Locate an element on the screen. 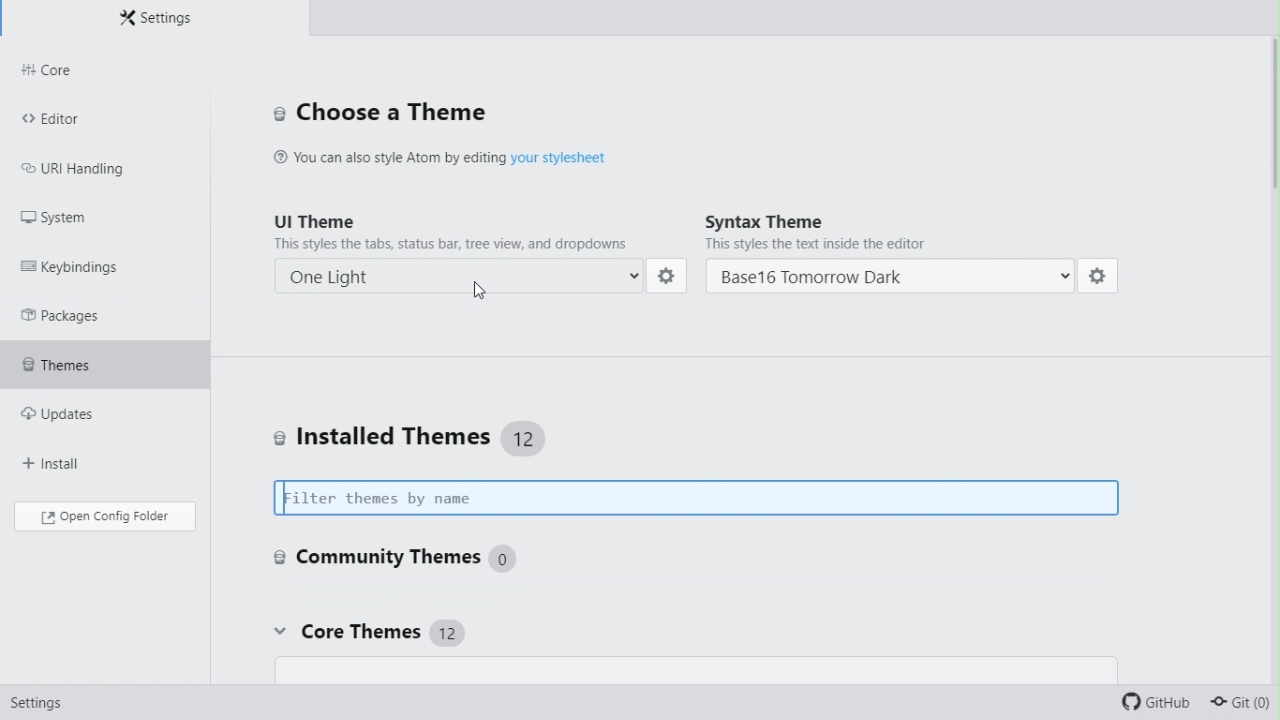  key Bindings is located at coordinates (82, 263).